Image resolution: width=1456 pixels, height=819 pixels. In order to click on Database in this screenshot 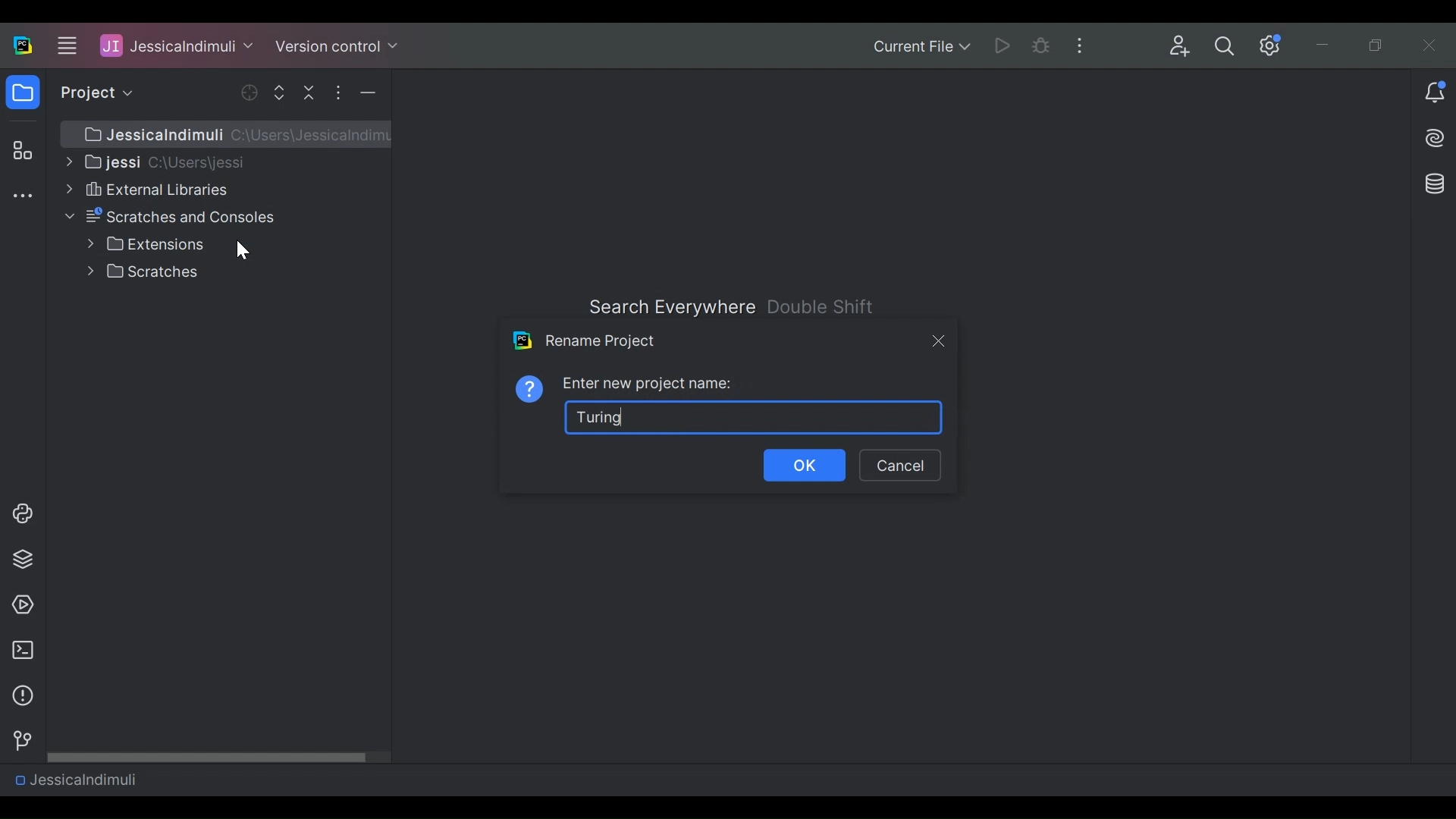, I will do `click(1432, 183)`.